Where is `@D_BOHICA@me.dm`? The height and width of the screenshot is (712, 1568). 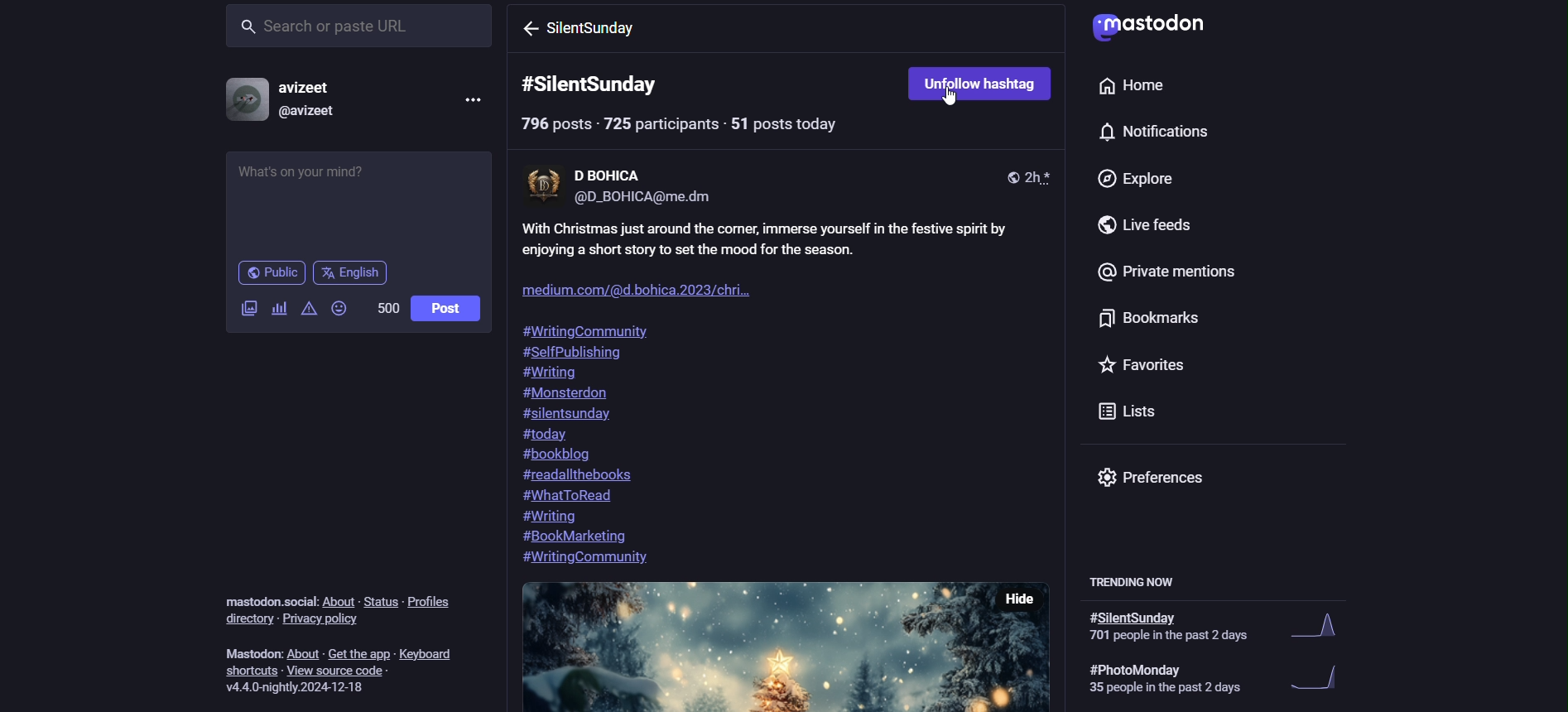
@D_BOHICA@me.dm is located at coordinates (642, 198).